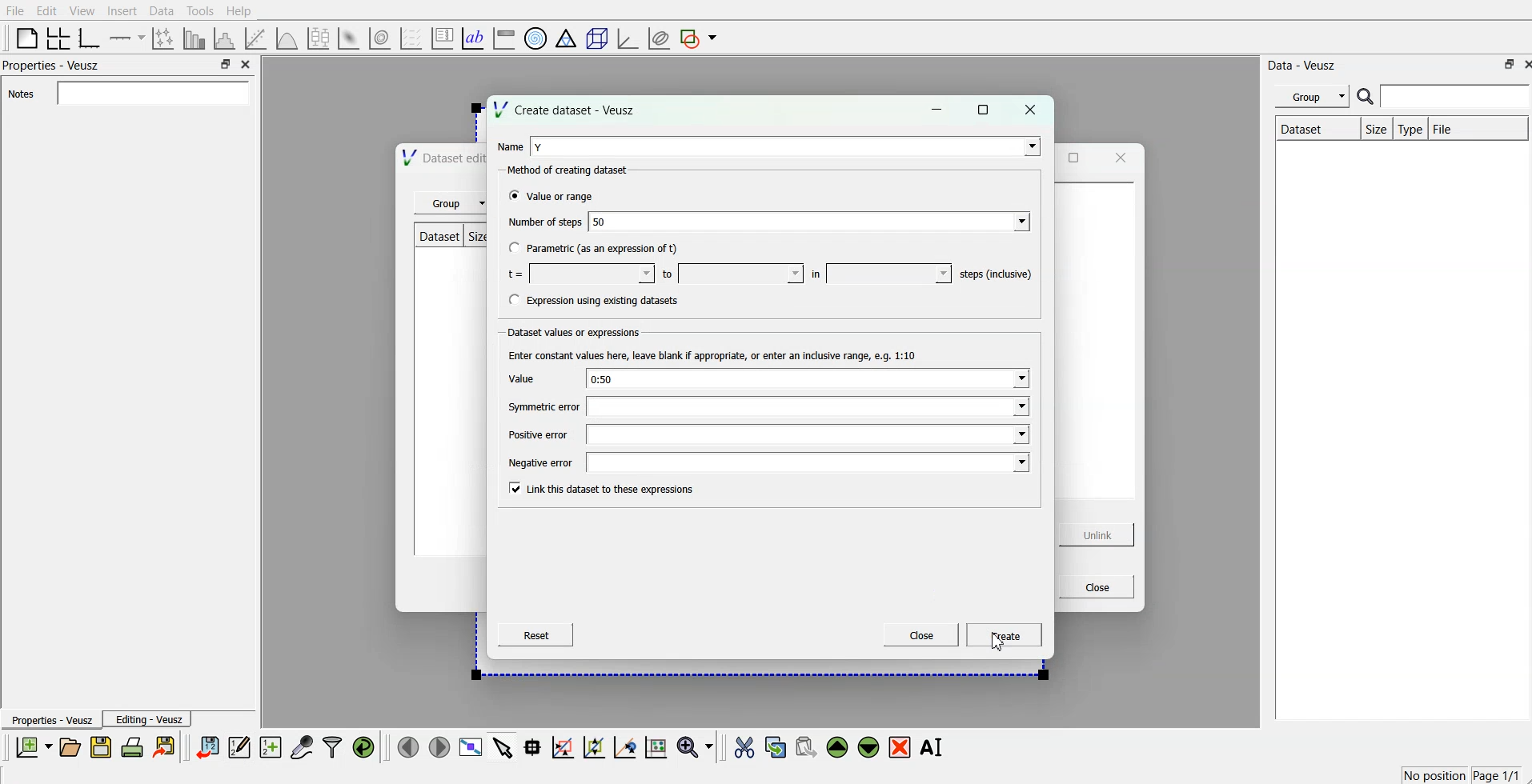  Describe the element at coordinates (657, 750) in the screenshot. I see `reset graph axes` at that location.